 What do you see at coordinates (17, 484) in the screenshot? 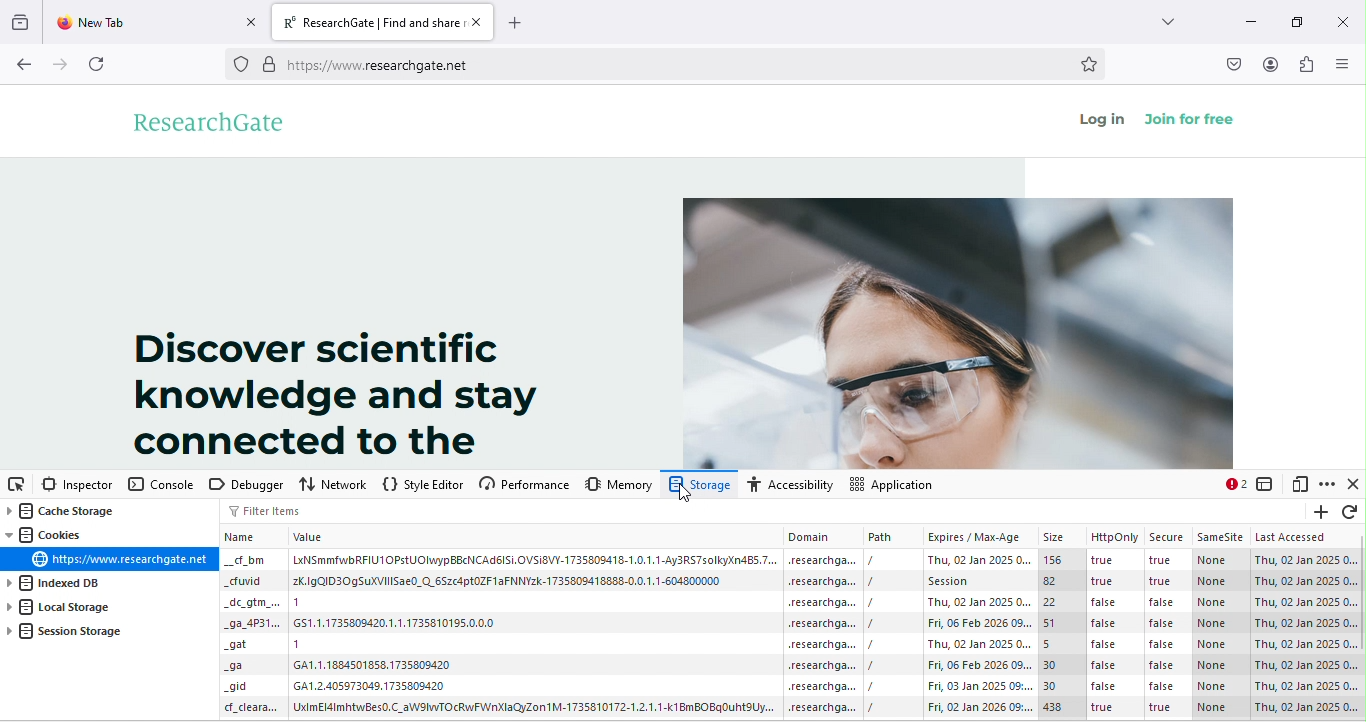
I see `pick an element from the page` at bounding box center [17, 484].